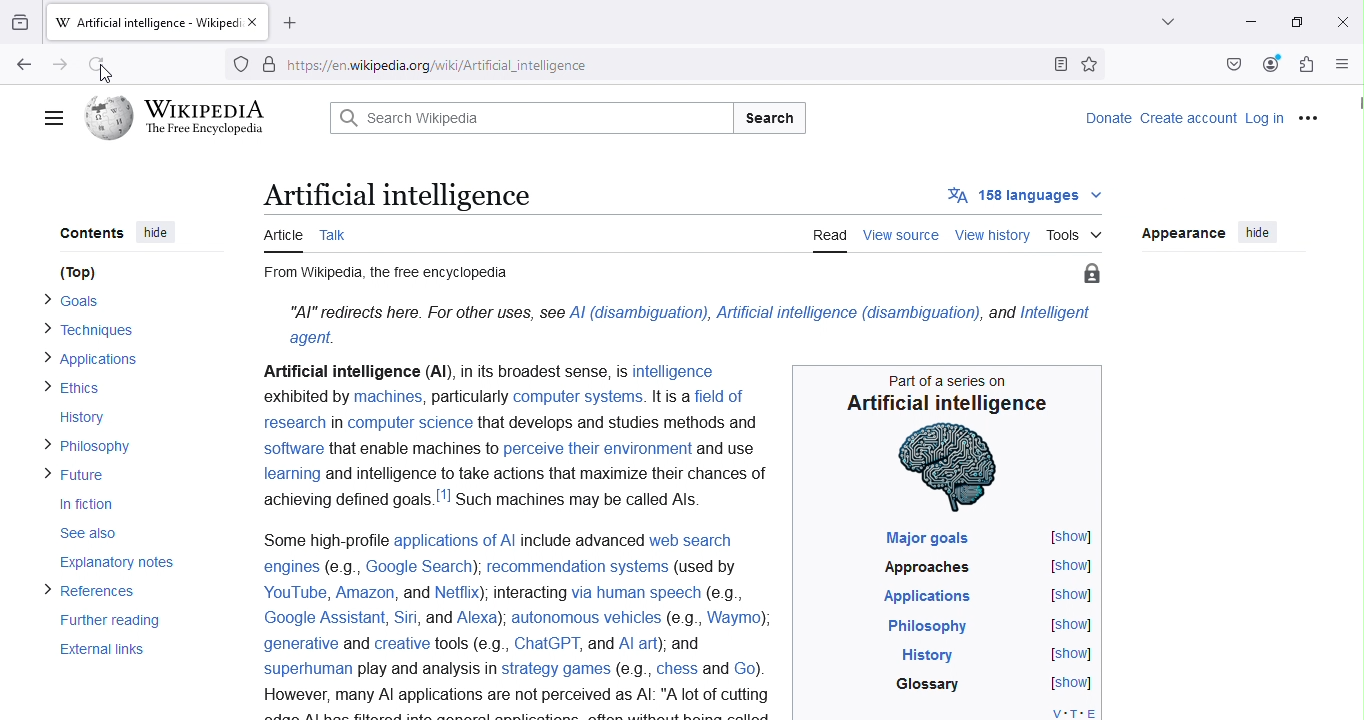 This screenshot has height=720, width=1364. Describe the element at coordinates (454, 64) in the screenshot. I see `https//enwikipedia.org/wiki/Artificial_intelligence` at that location.